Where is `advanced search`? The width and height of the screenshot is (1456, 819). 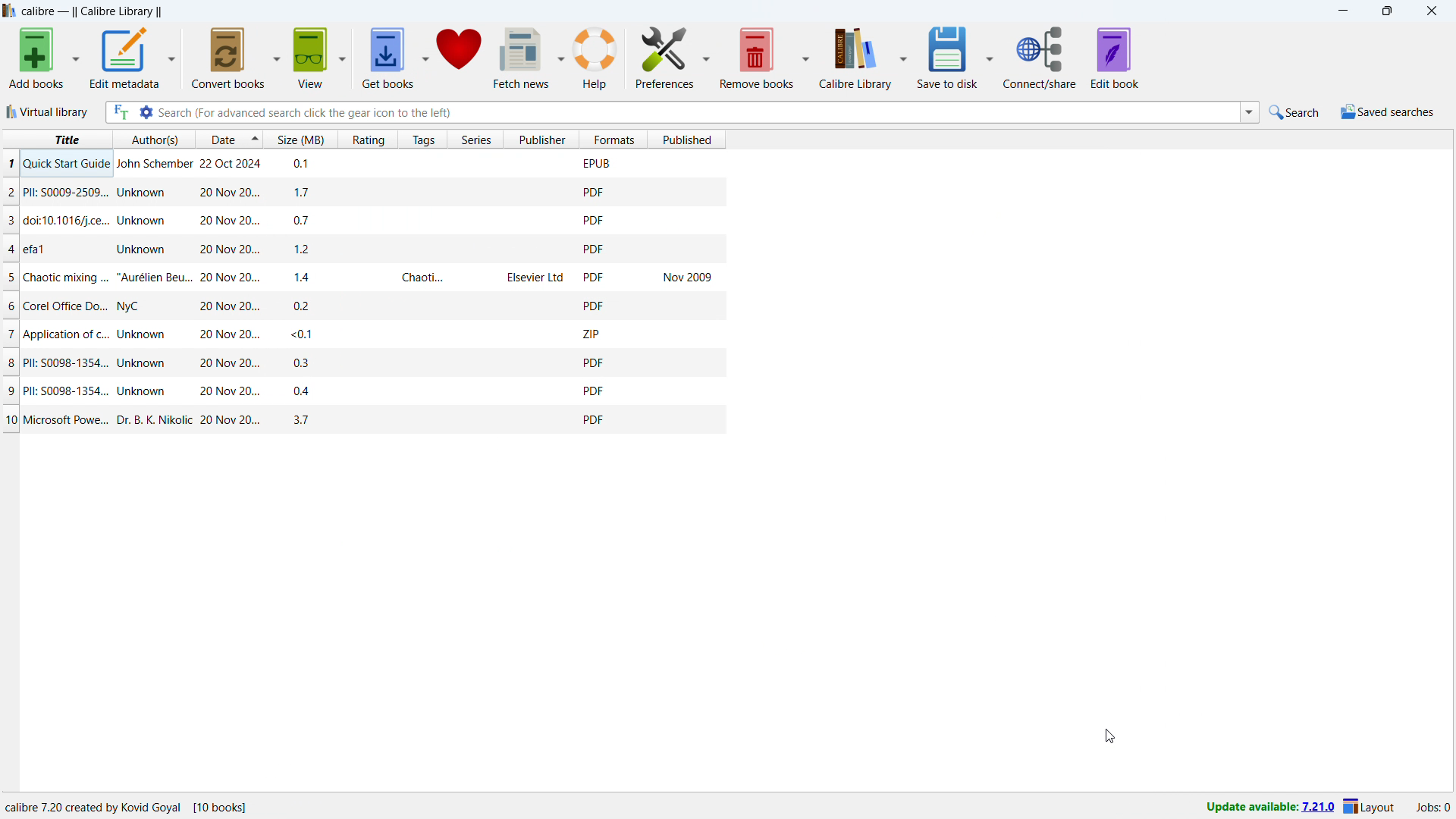 advanced search is located at coordinates (146, 112).